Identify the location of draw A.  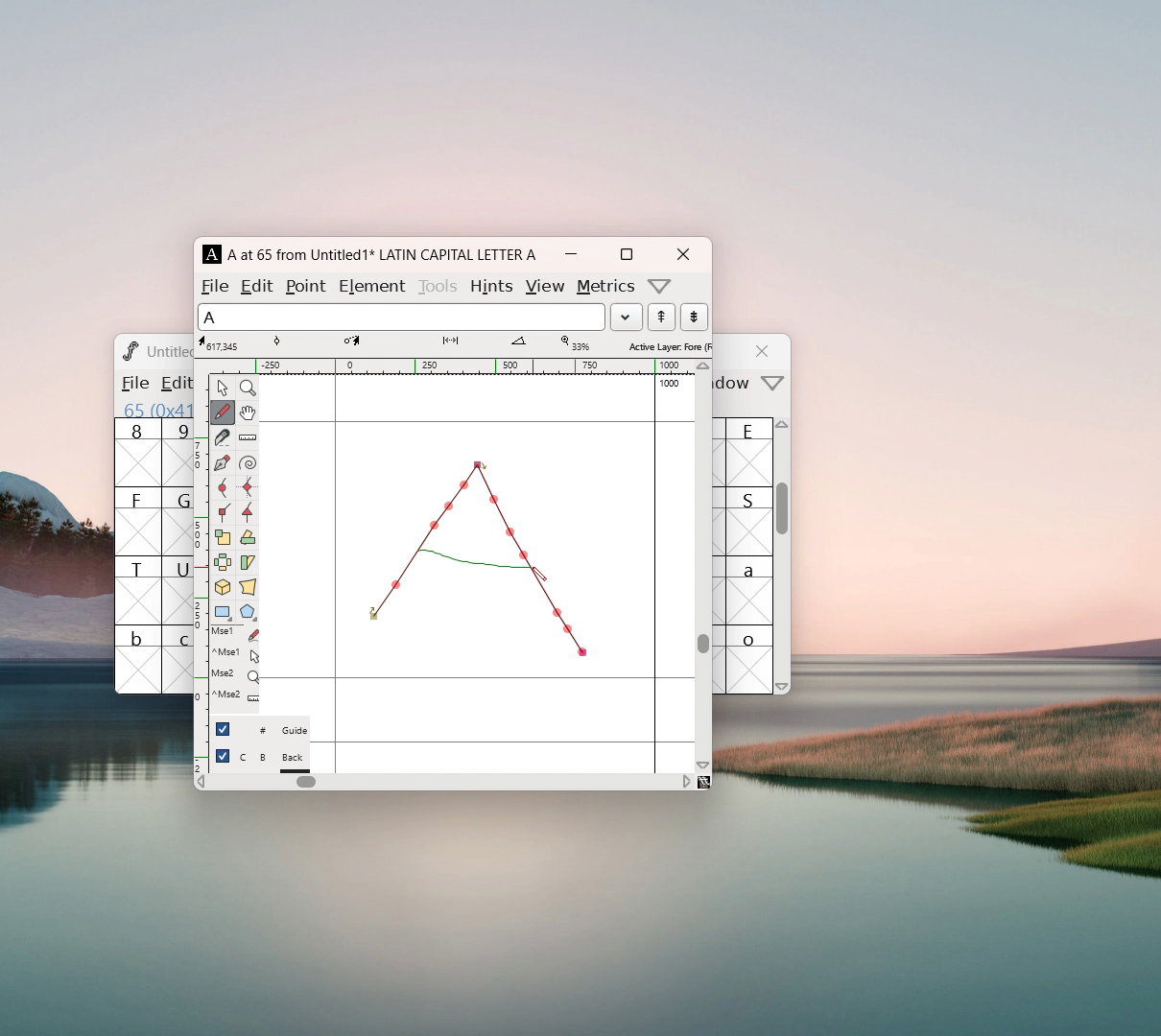
(478, 556).